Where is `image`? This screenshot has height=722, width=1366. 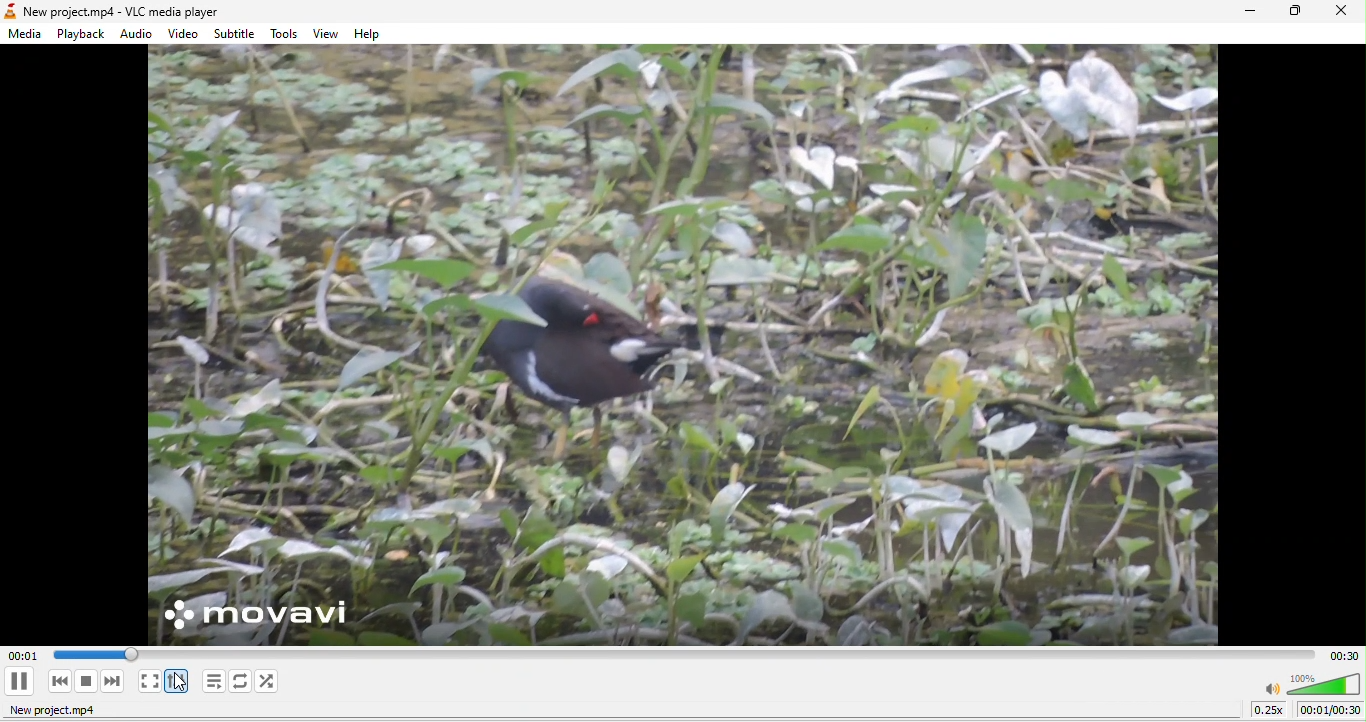 image is located at coordinates (688, 349).